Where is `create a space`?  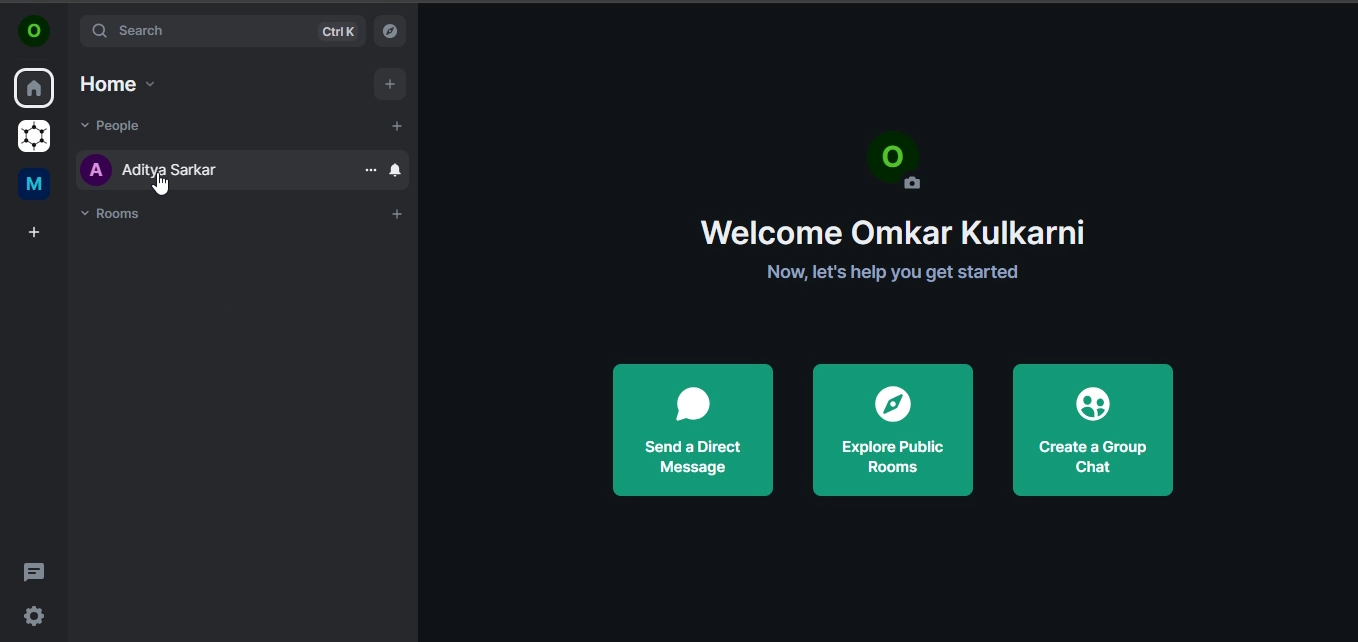 create a space is located at coordinates (33, 234).